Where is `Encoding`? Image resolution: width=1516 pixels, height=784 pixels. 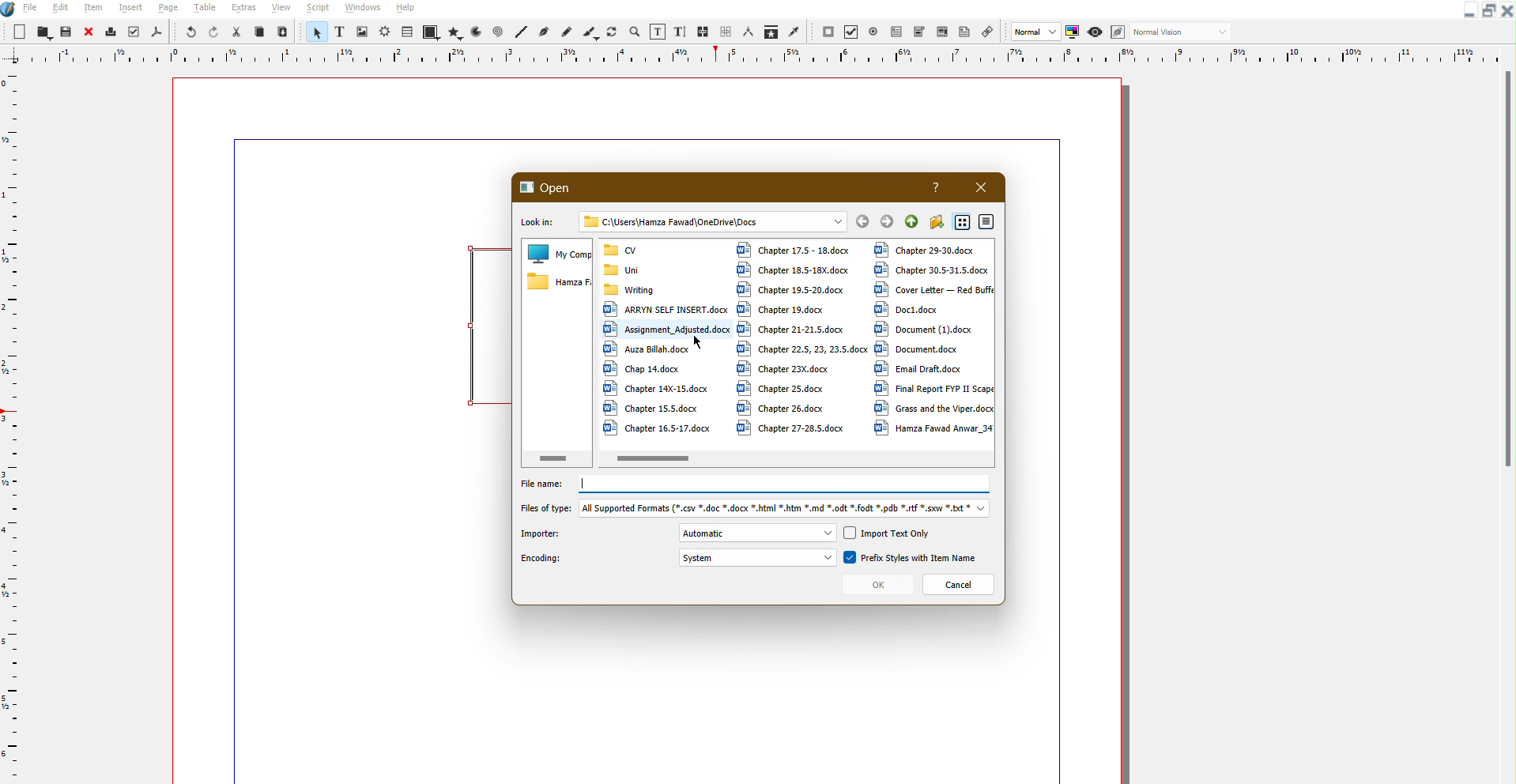
Encoding is located at coordinates (758, 559).